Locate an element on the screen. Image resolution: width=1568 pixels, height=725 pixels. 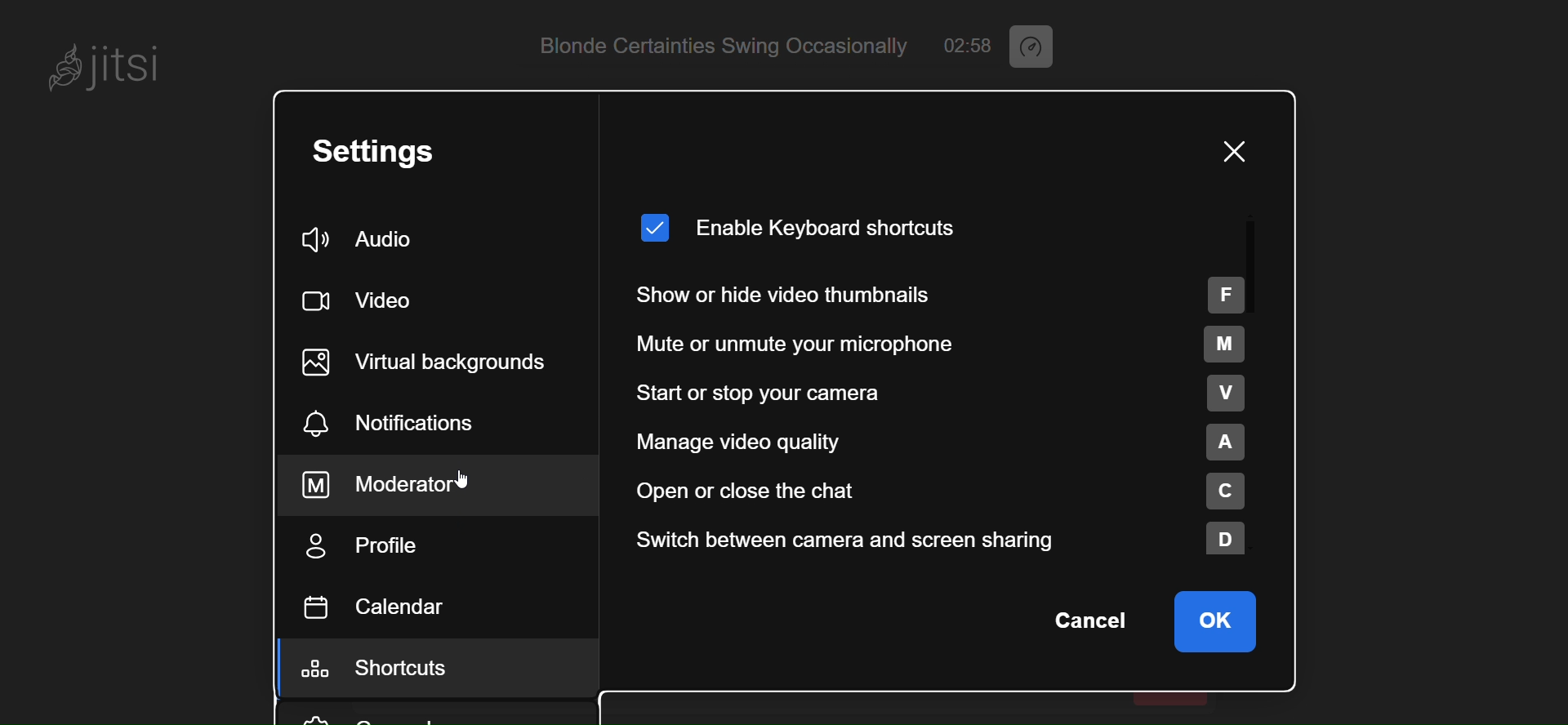
enable keyboard shortcut is located at coordinates (801, 223).